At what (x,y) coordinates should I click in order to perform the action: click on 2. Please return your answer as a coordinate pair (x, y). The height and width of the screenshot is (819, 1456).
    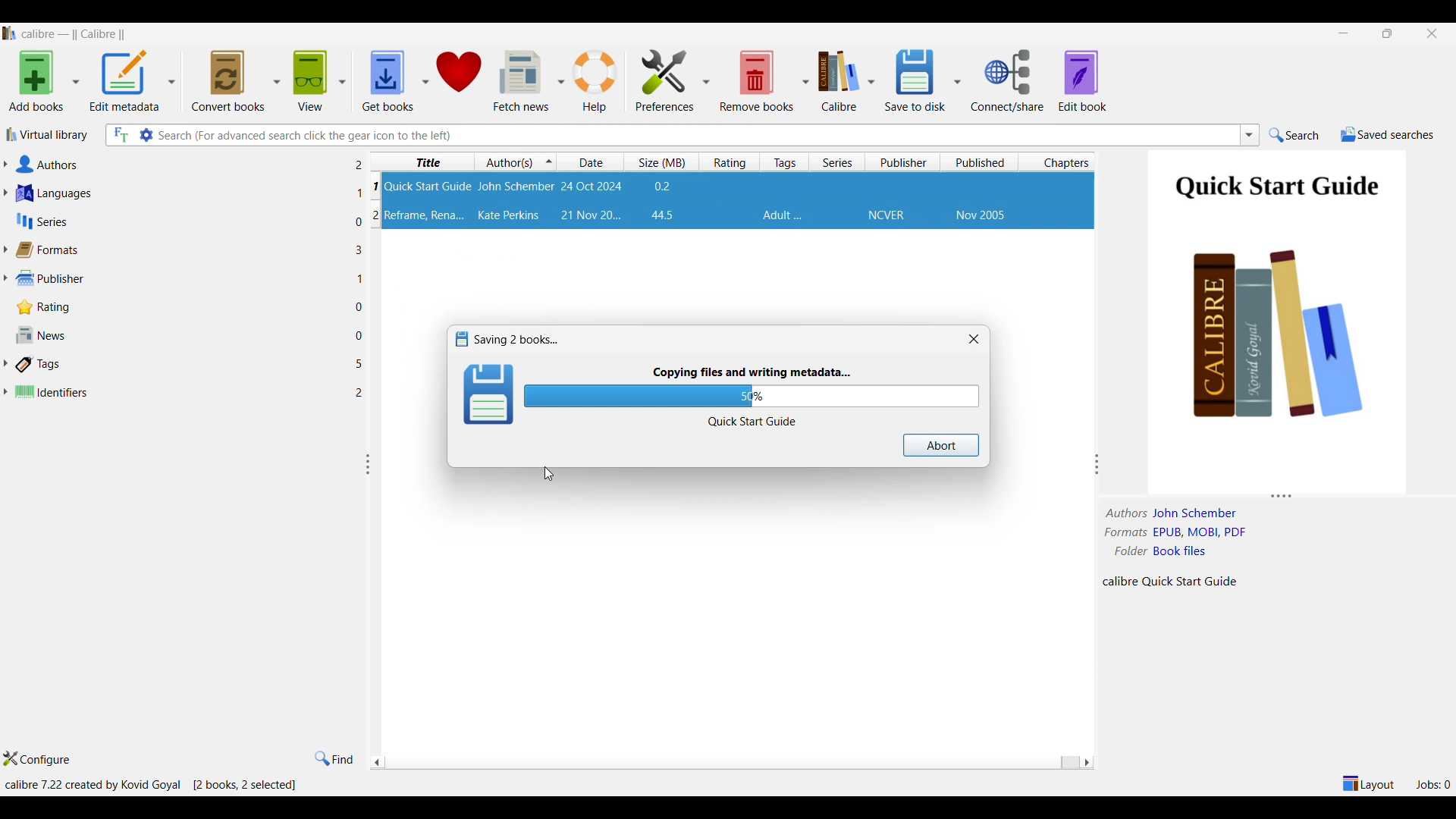
    Looking at the image, I should click on (358, 165).